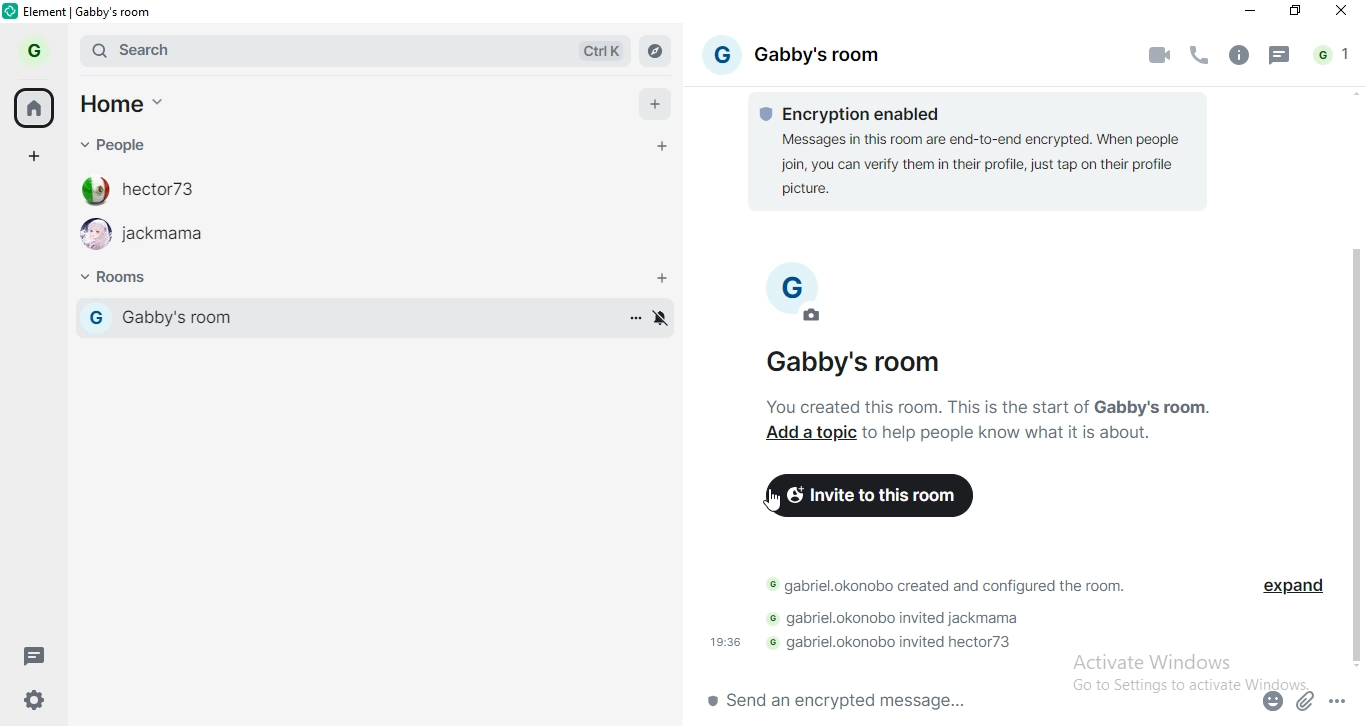 The height and width of the screenshot is (726, 1366). Describe the element at coordinates (1239, 56) in the screenshot. I see `info` at that location.